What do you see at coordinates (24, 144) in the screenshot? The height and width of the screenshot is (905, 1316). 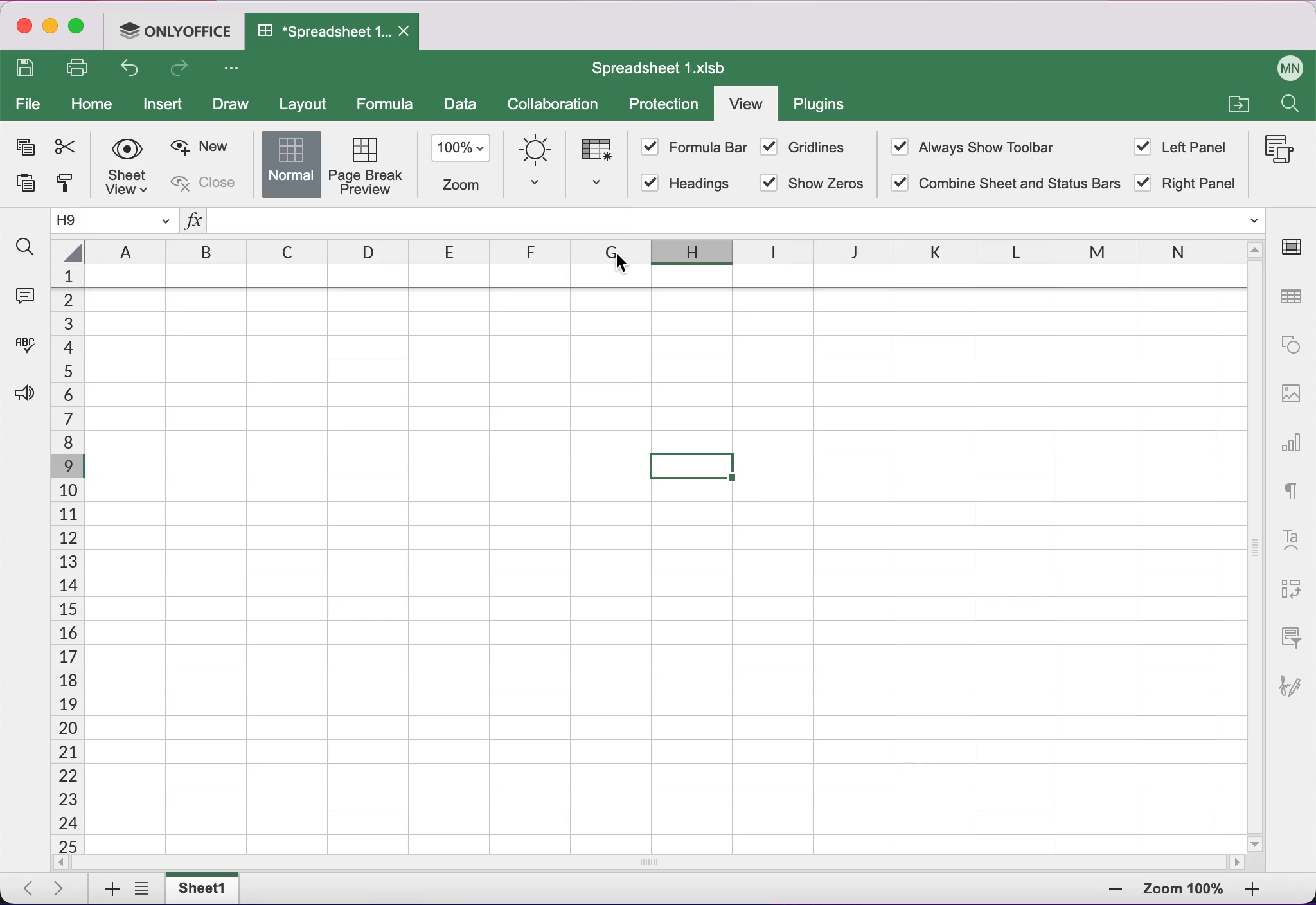 I see `copy` at bounding box center [24, 144].